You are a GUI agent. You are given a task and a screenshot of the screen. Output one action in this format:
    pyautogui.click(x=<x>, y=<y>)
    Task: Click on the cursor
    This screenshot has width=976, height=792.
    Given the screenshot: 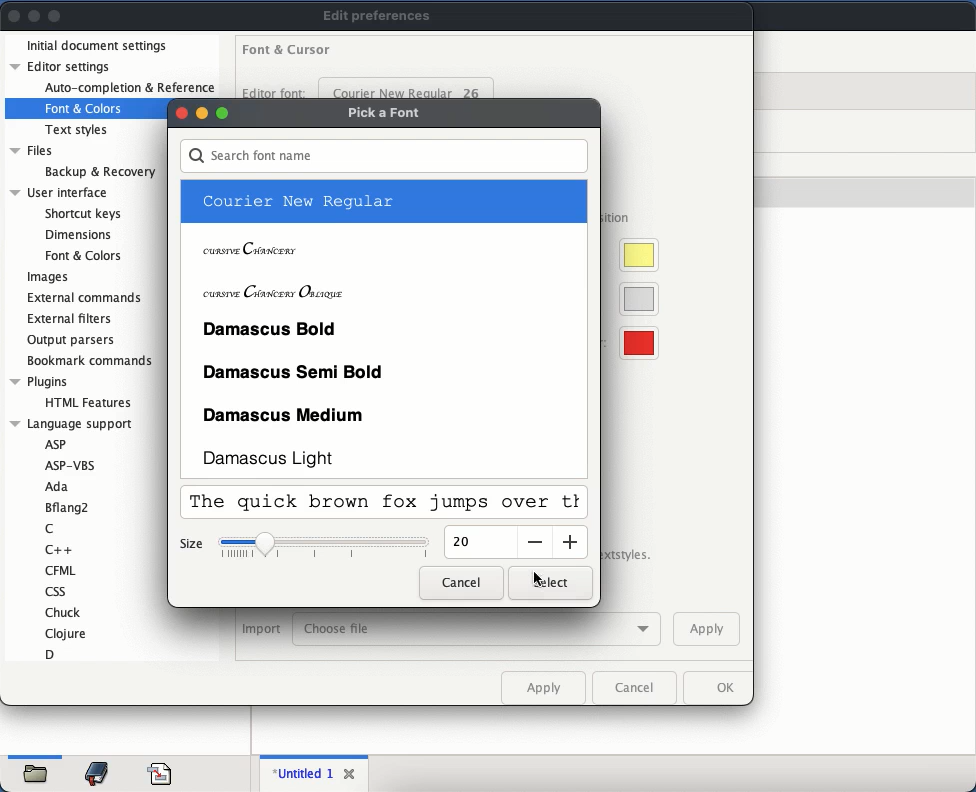 What is the action you would take?
    pyautogui.click(x=539, y=578)
    